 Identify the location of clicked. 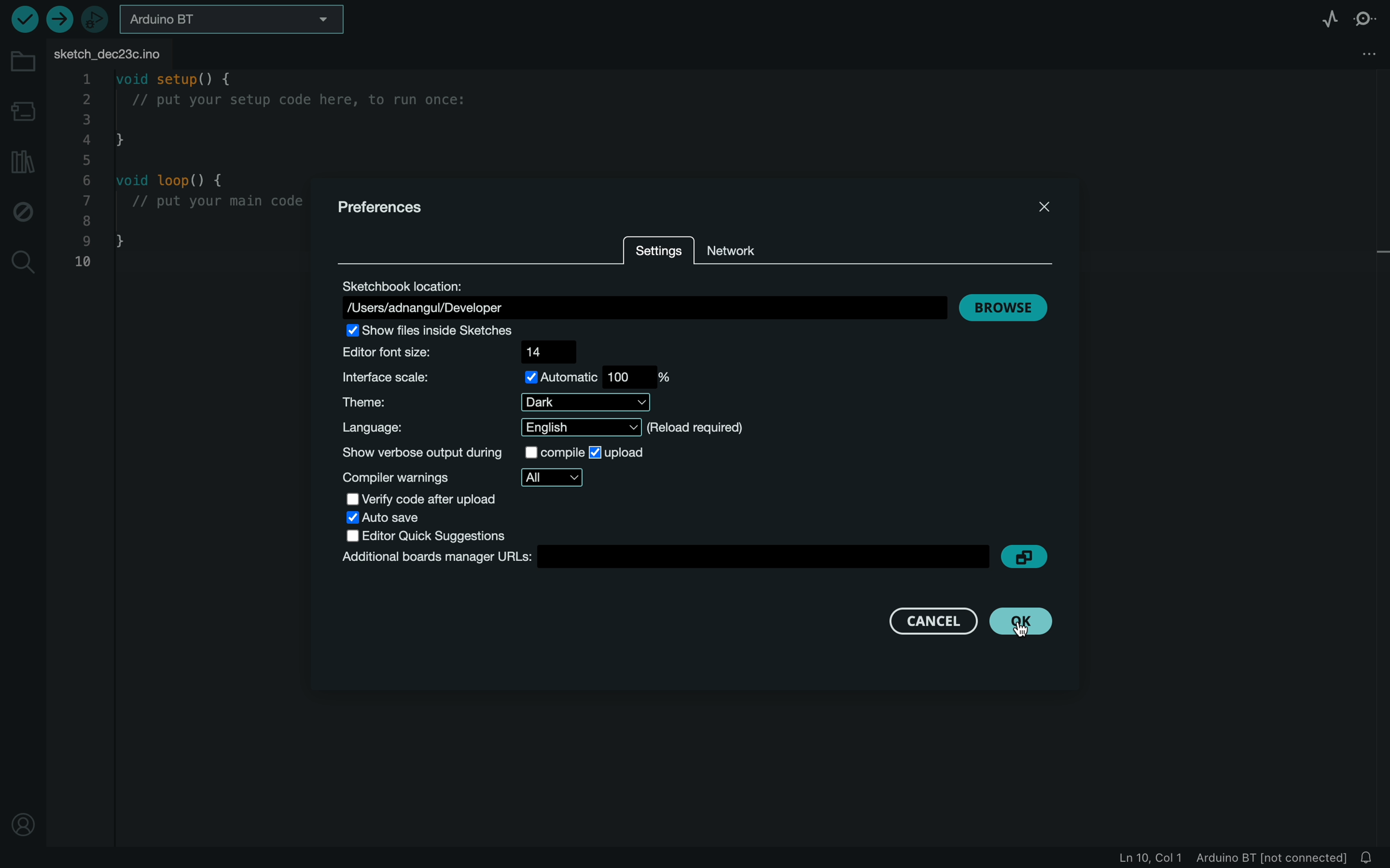
(1023, 625).